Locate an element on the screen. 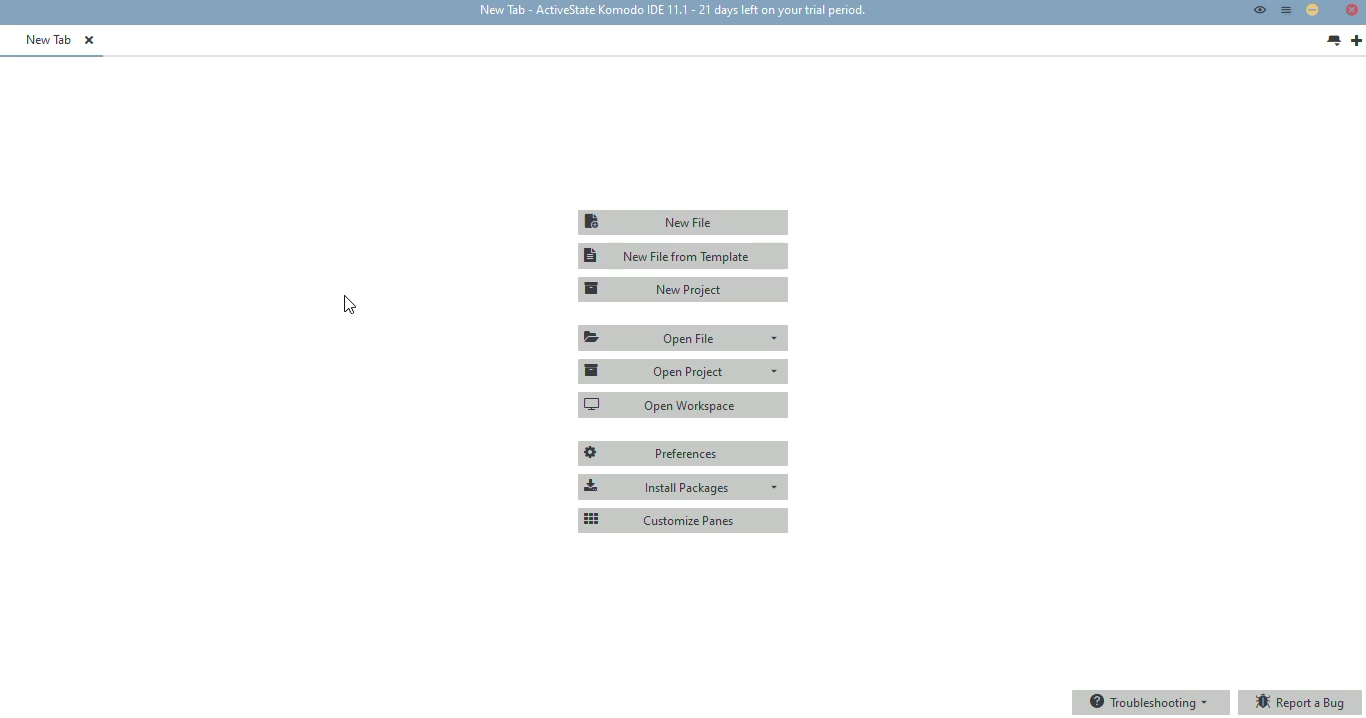 Image resolution: width=1366 pixels, height=718 pixels. troubleshooting is located at coordinates (1152, 703).